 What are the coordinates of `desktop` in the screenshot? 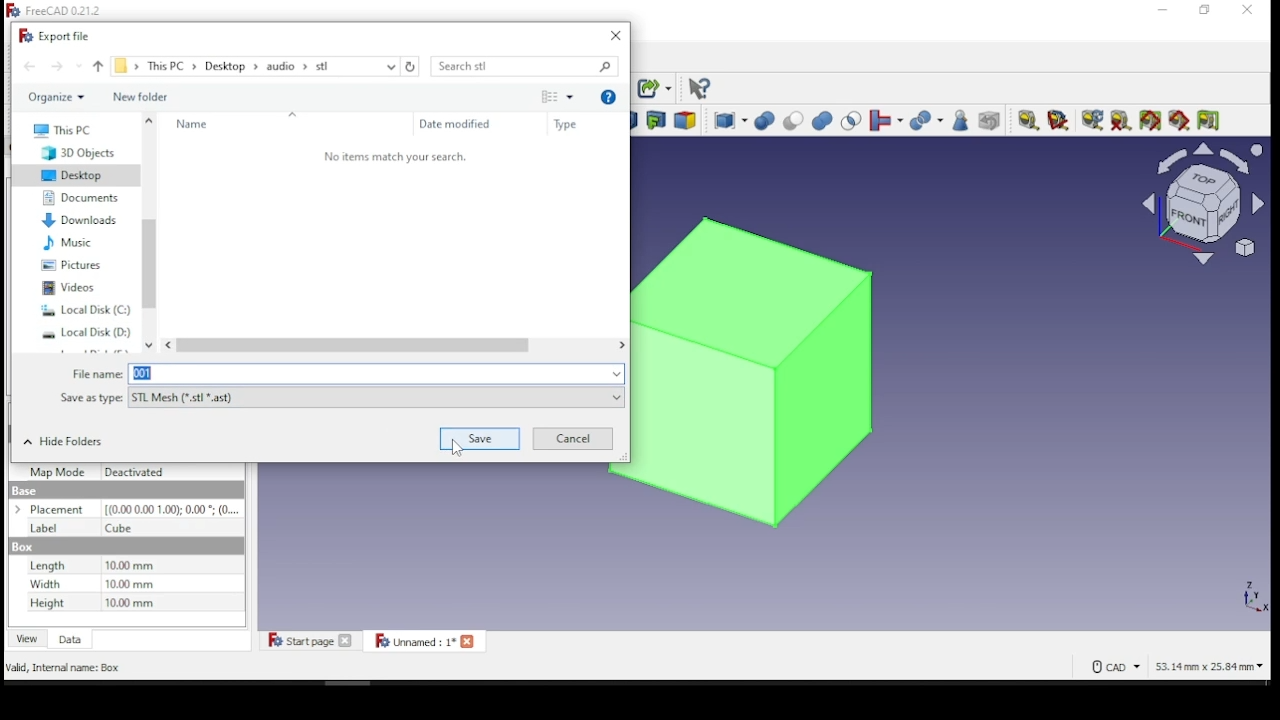 It's located at (79, 176).